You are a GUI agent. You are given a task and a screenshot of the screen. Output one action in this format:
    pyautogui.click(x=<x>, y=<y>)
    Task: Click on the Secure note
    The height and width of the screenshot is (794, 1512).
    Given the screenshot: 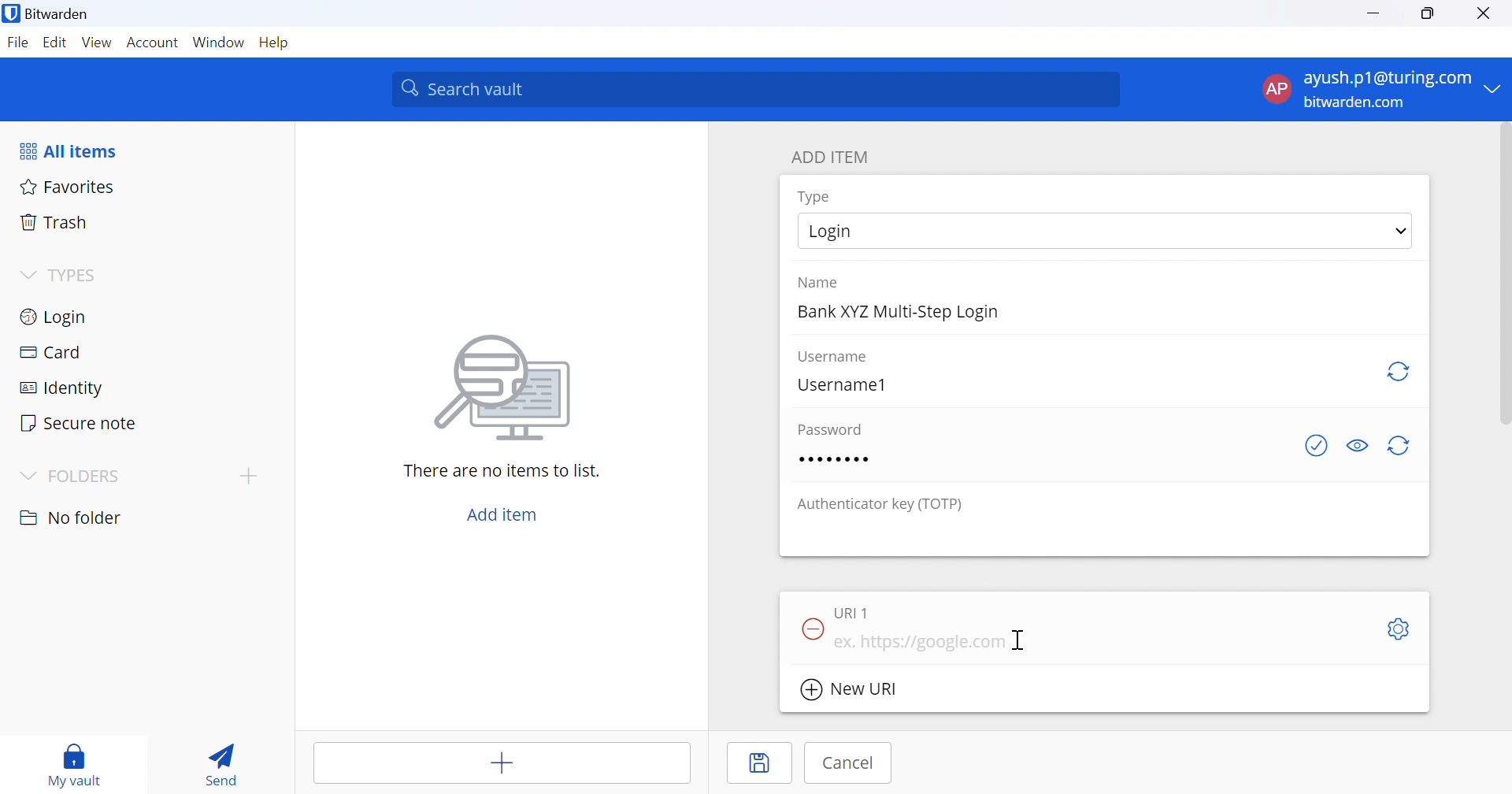 What is the action you would take?
    pyautogui.click(x=81, y=425)
    